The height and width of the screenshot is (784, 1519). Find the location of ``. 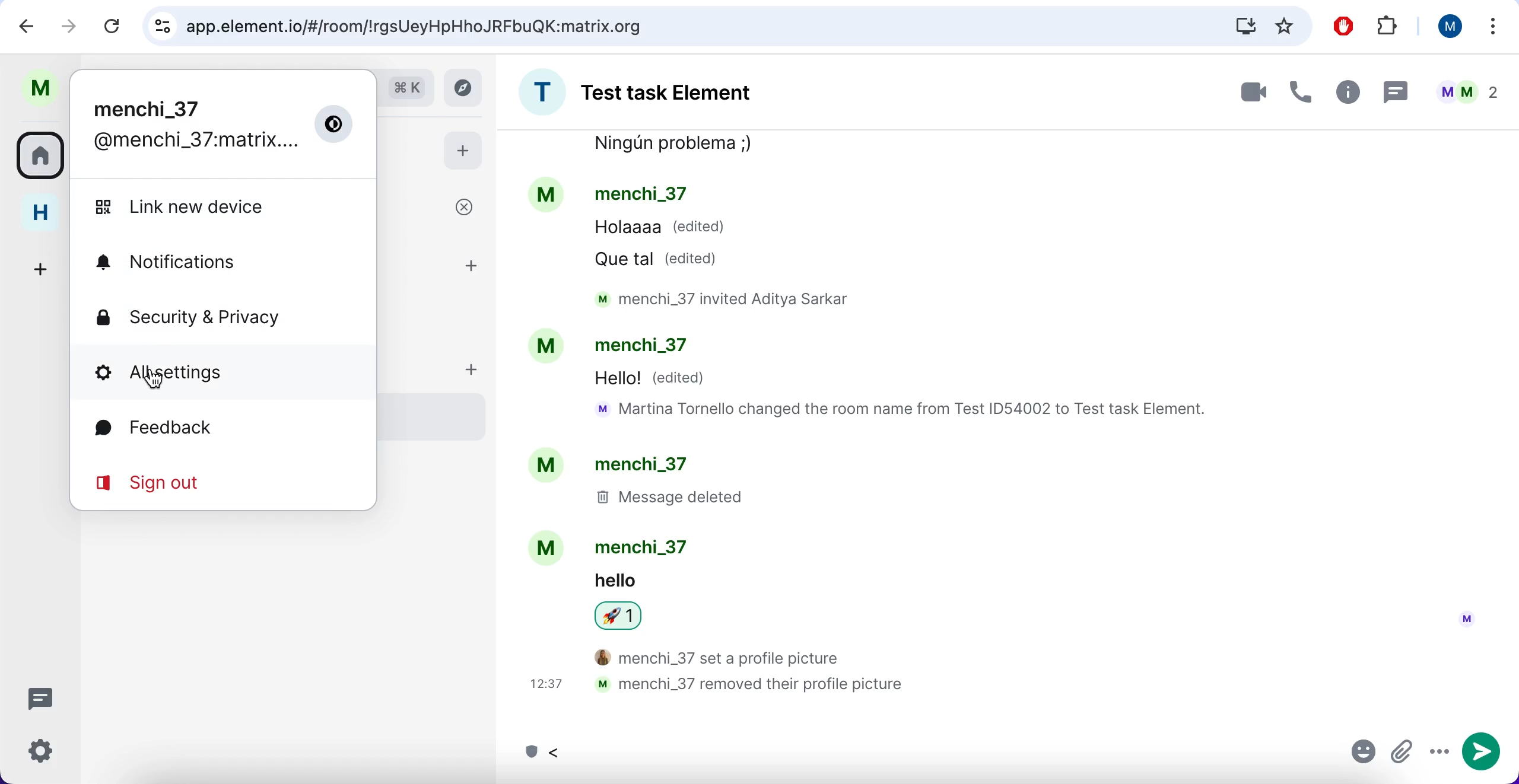

 is located at coordinates (465, 93).